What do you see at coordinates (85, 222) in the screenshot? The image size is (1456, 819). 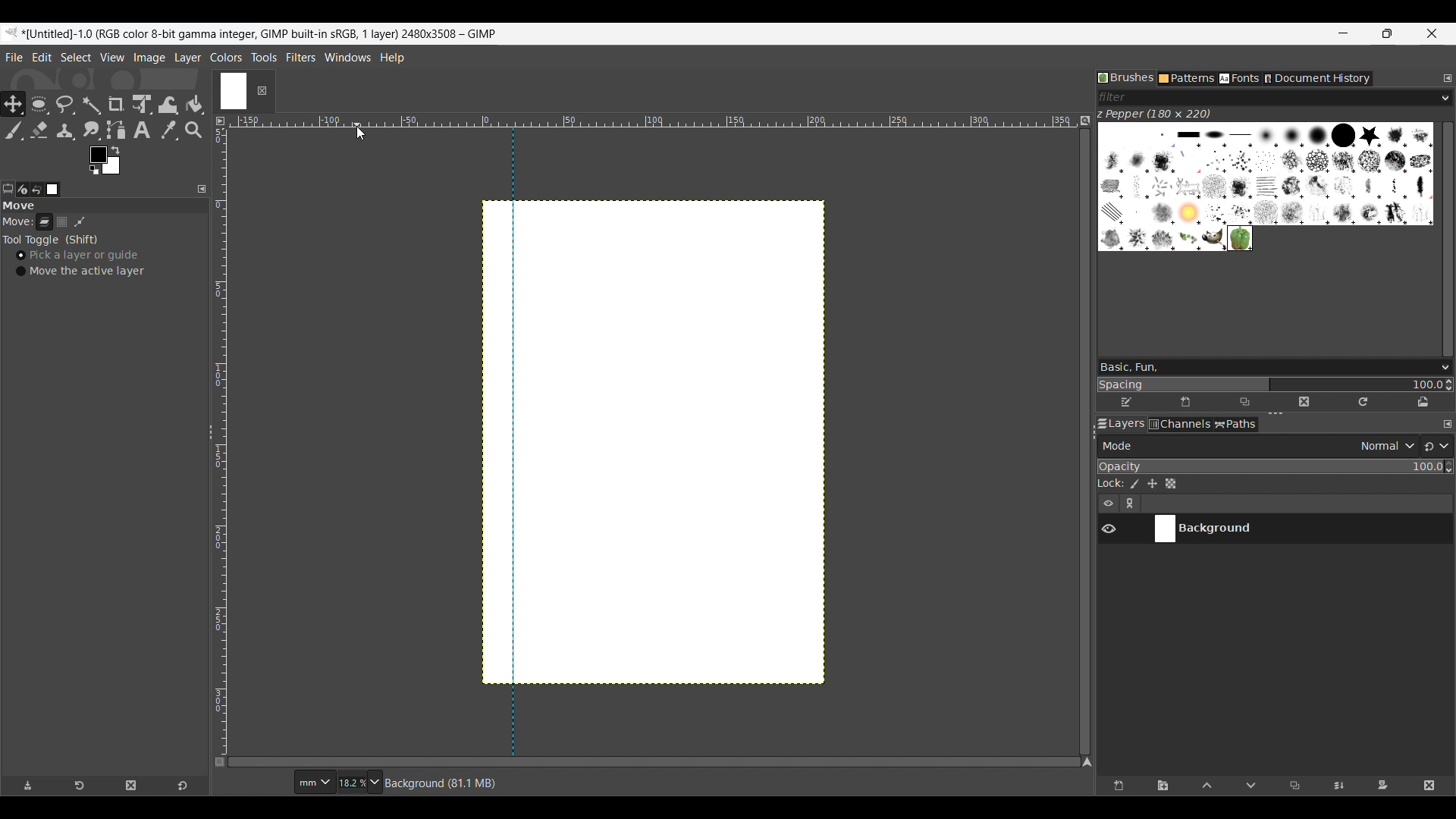 I see `Patch` at bounding box center [85, 222].